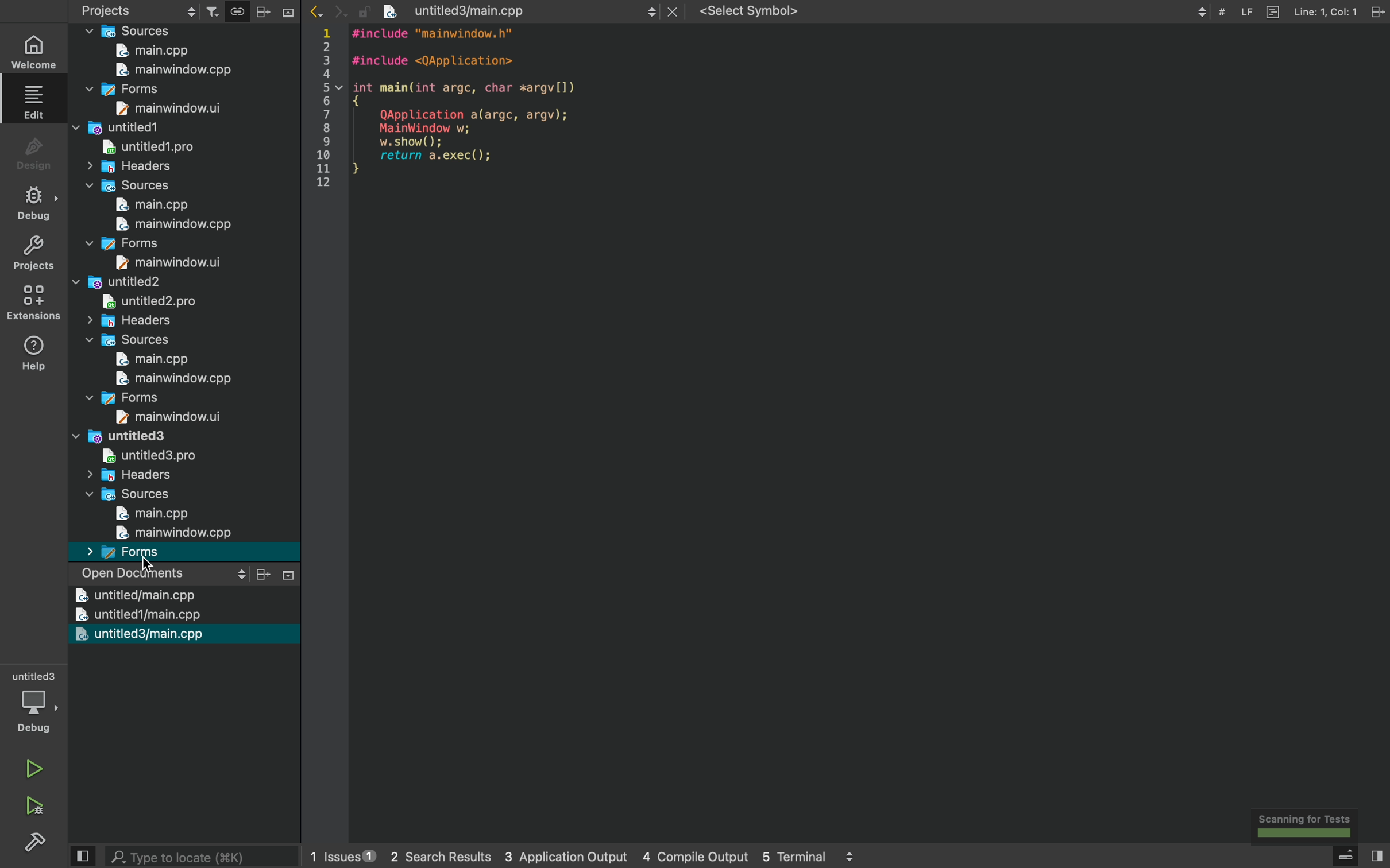  What do you see at coordinates (148, 456) in the screenshot?
I see `untitled` at bounding box center [148, 456].